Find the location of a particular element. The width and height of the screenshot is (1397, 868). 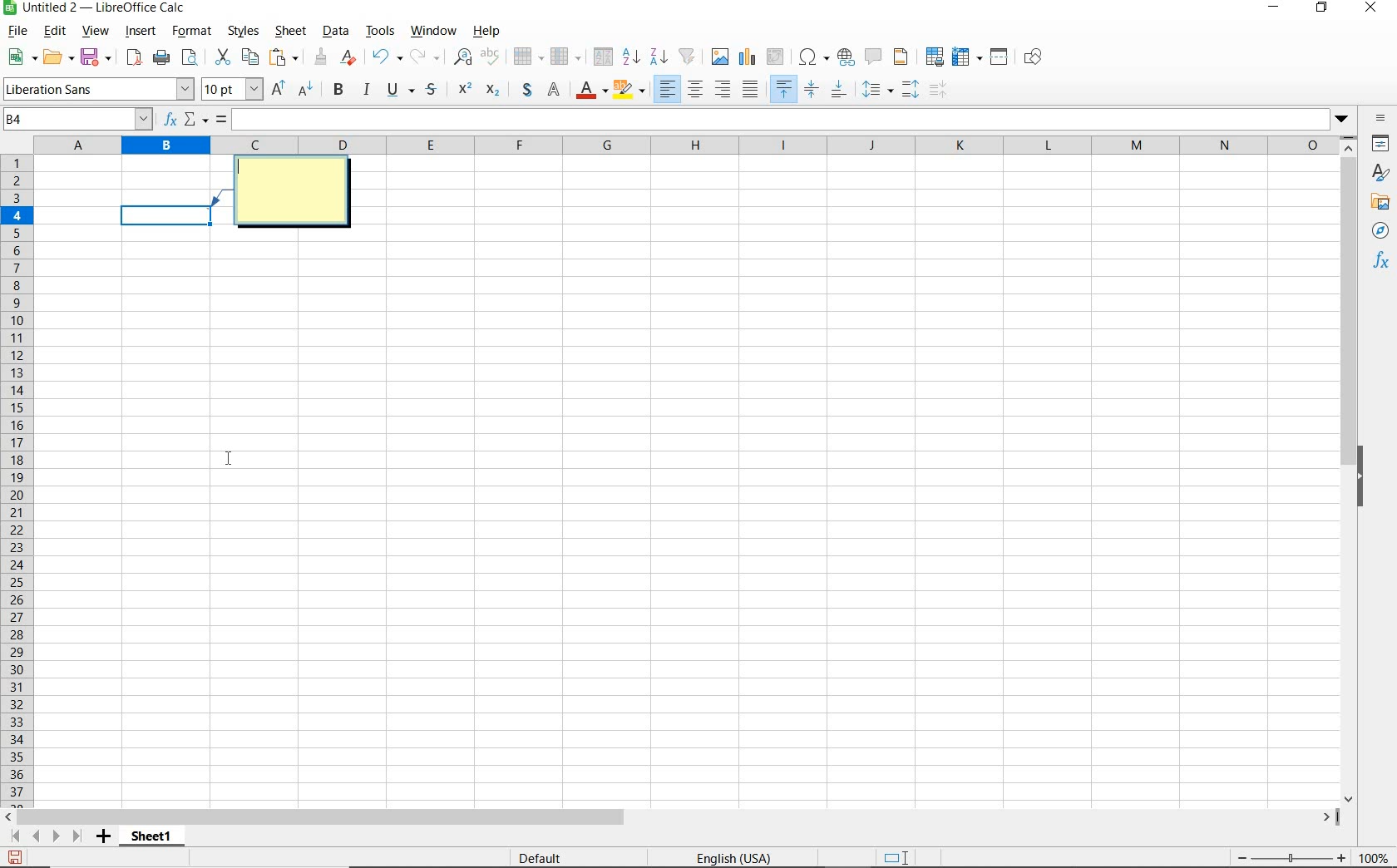

insert special charaacters is located at coordinates (813, 57).